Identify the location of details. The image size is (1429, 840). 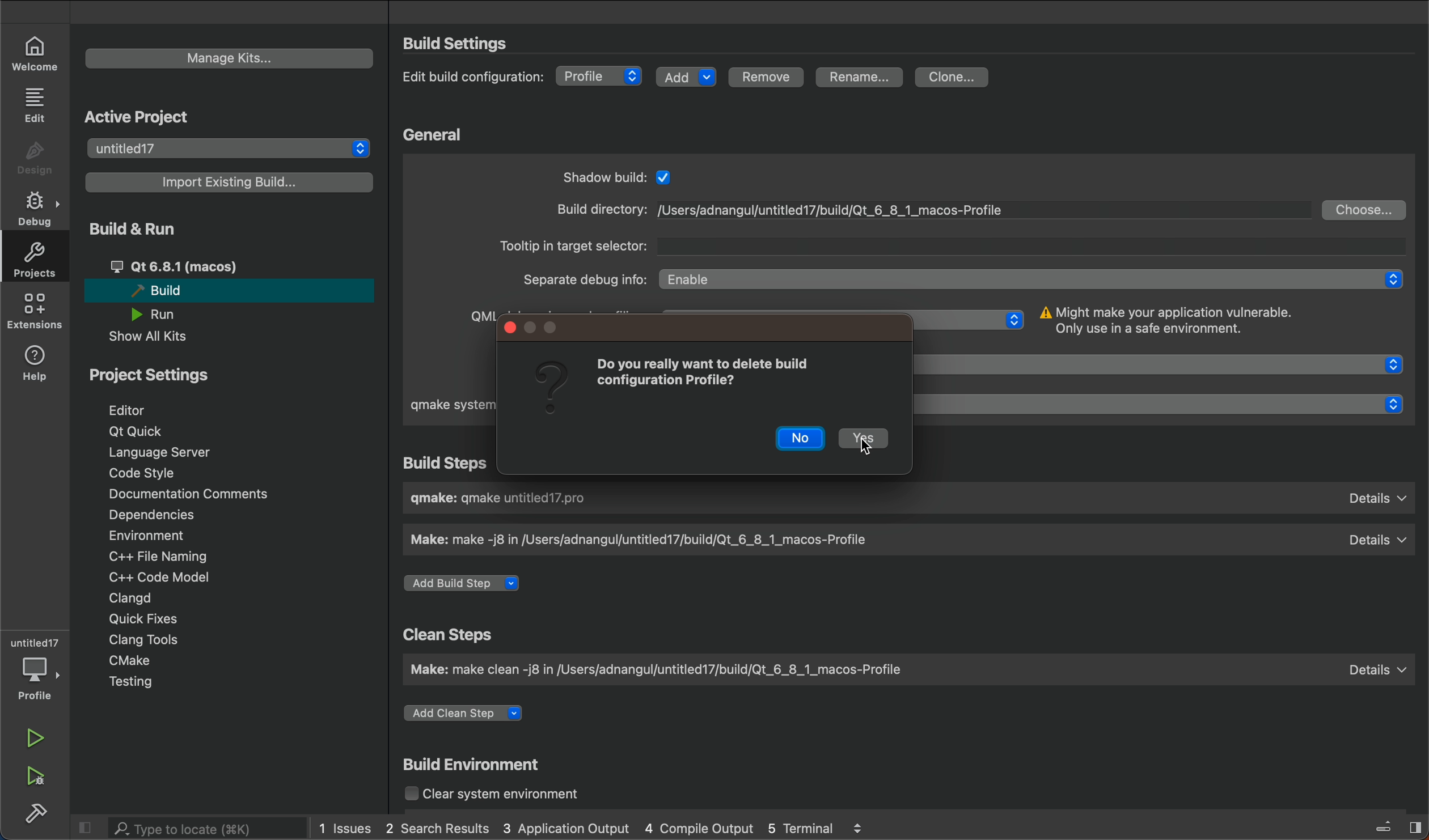
(1381, 500).